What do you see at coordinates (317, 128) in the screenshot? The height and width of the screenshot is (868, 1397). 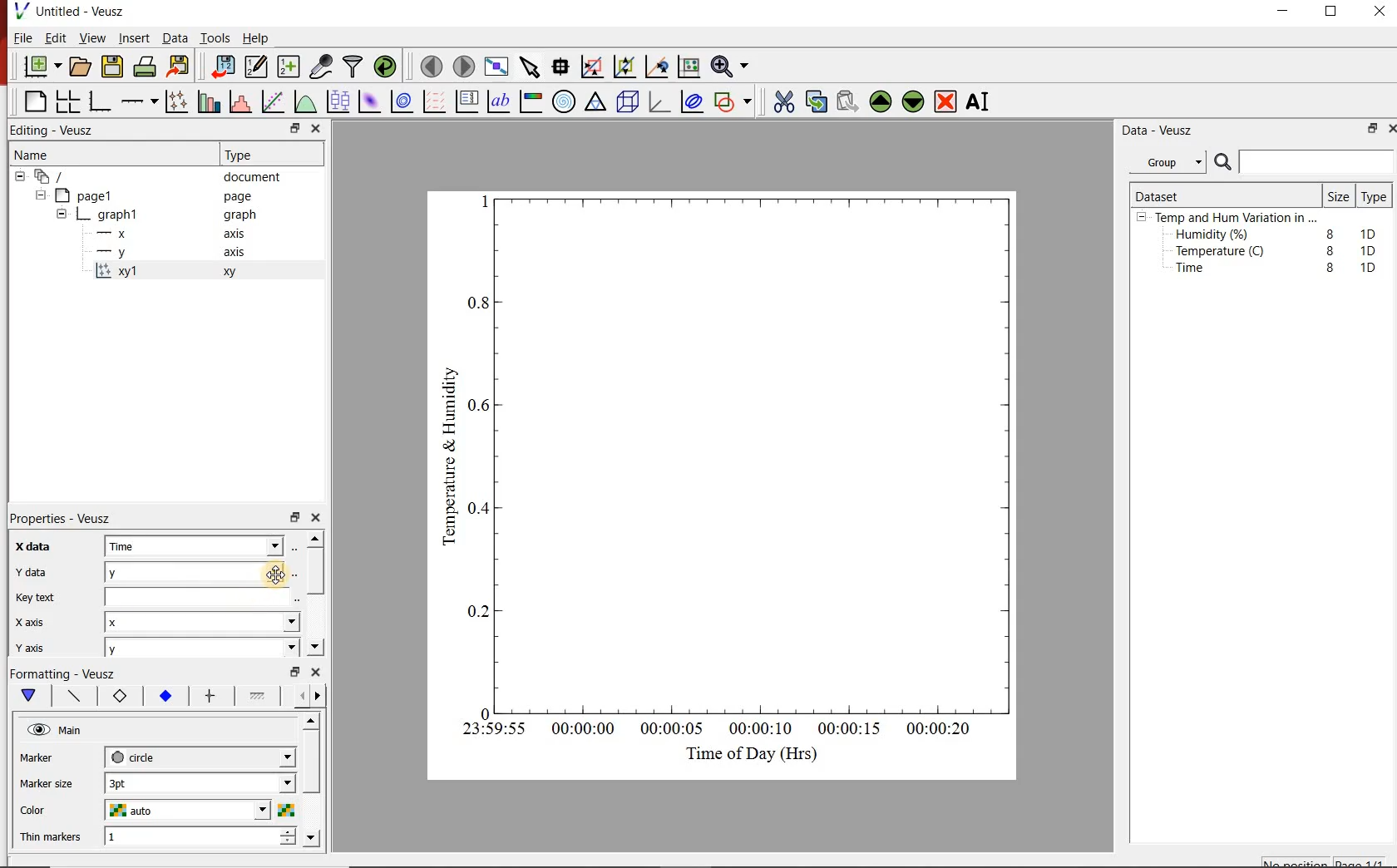 I see `close` at bounding box center [317, 128].